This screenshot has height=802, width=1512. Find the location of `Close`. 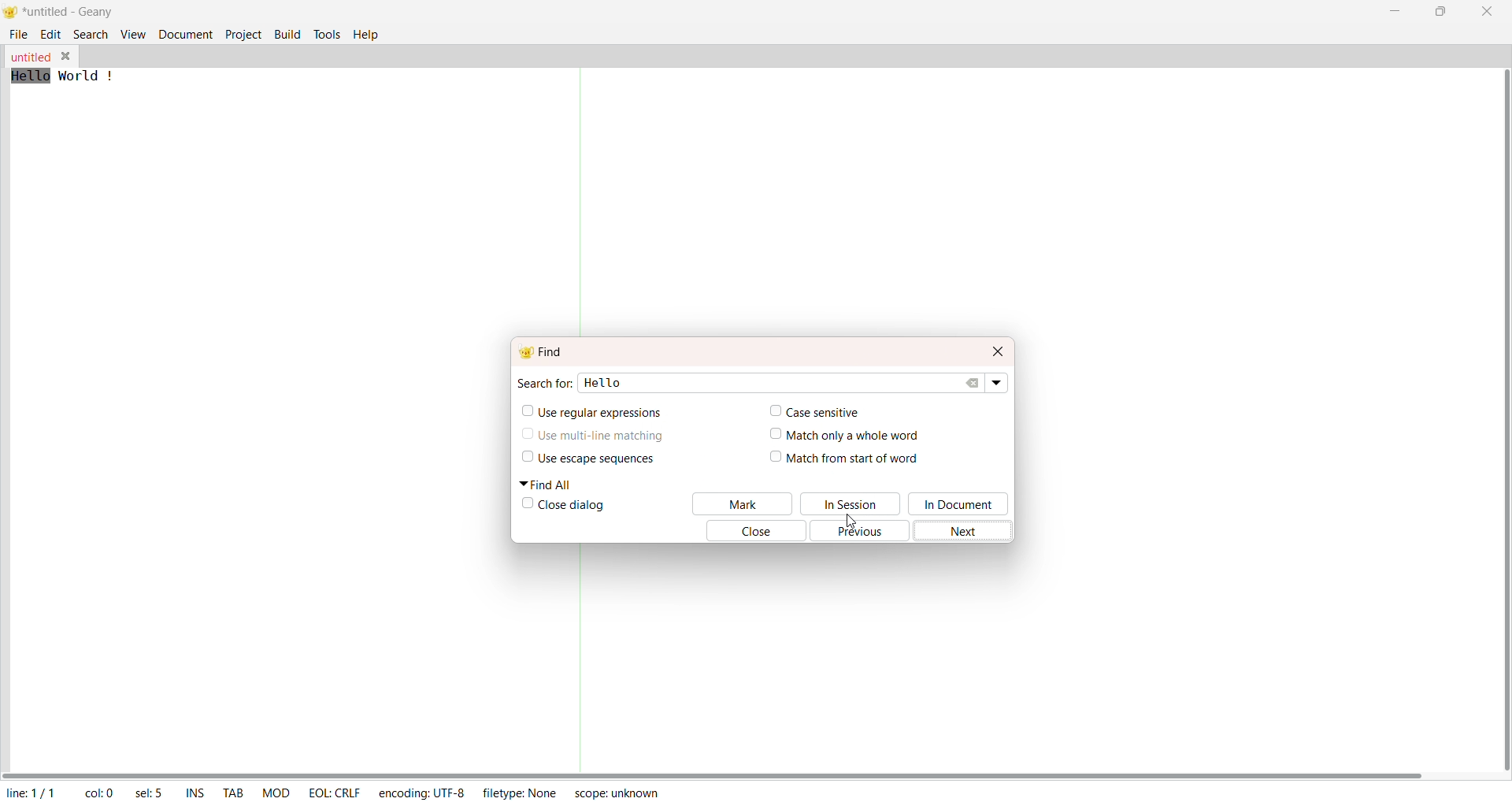

Close is located at coordinates (1484, 12).